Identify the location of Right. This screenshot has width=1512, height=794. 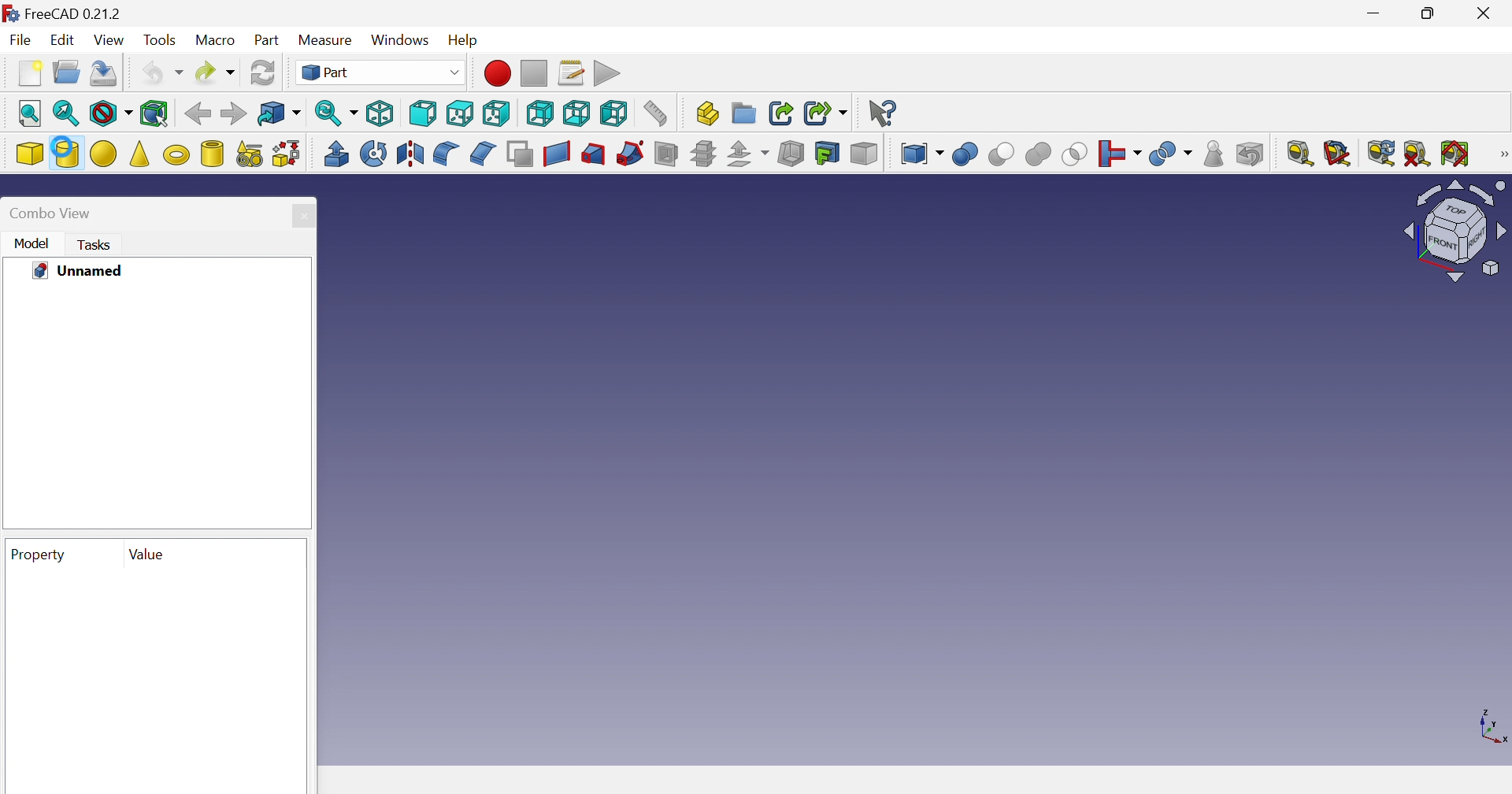
(498, 113).